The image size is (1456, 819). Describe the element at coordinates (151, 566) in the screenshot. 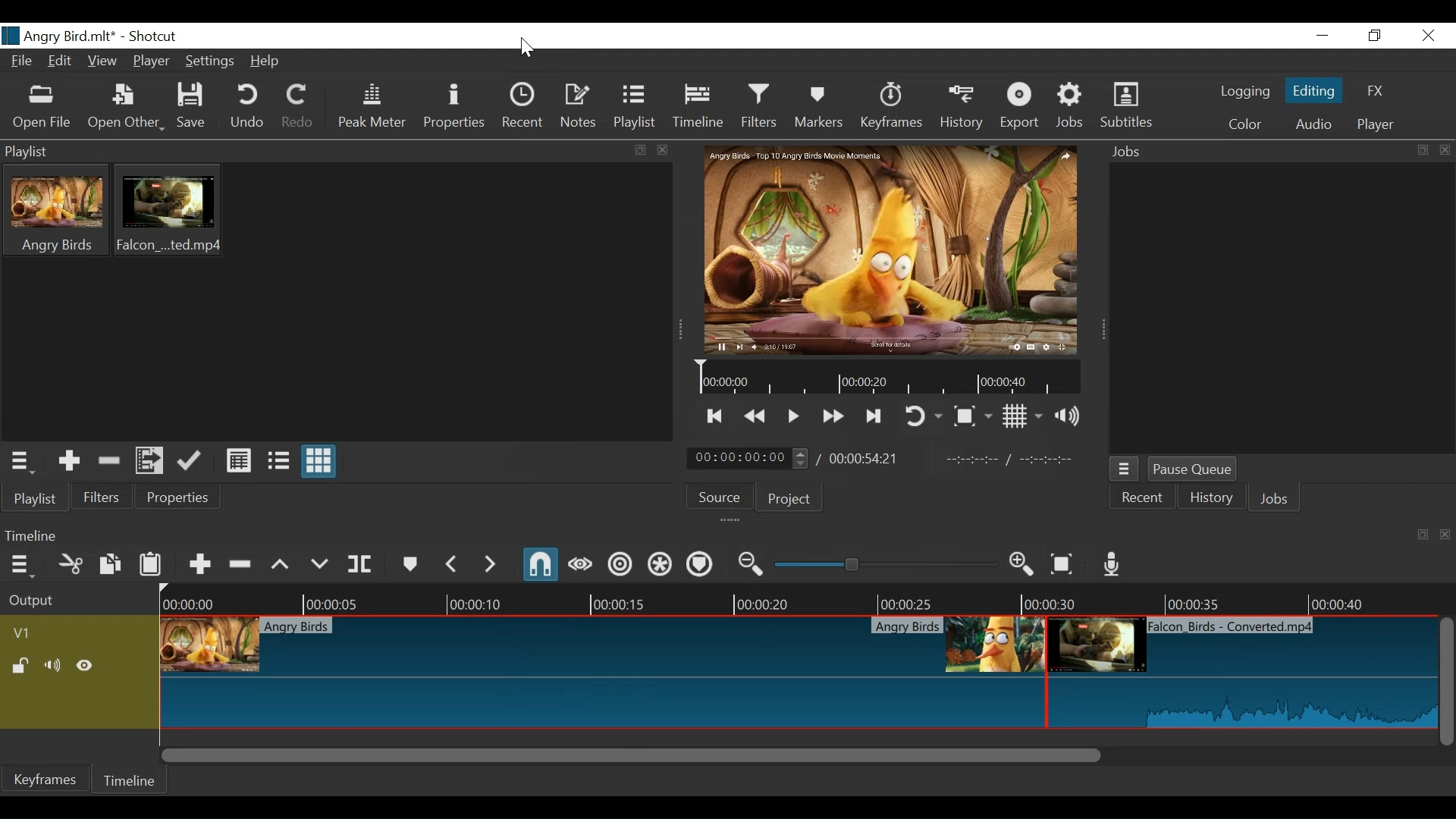

I see `Paste` at that location.